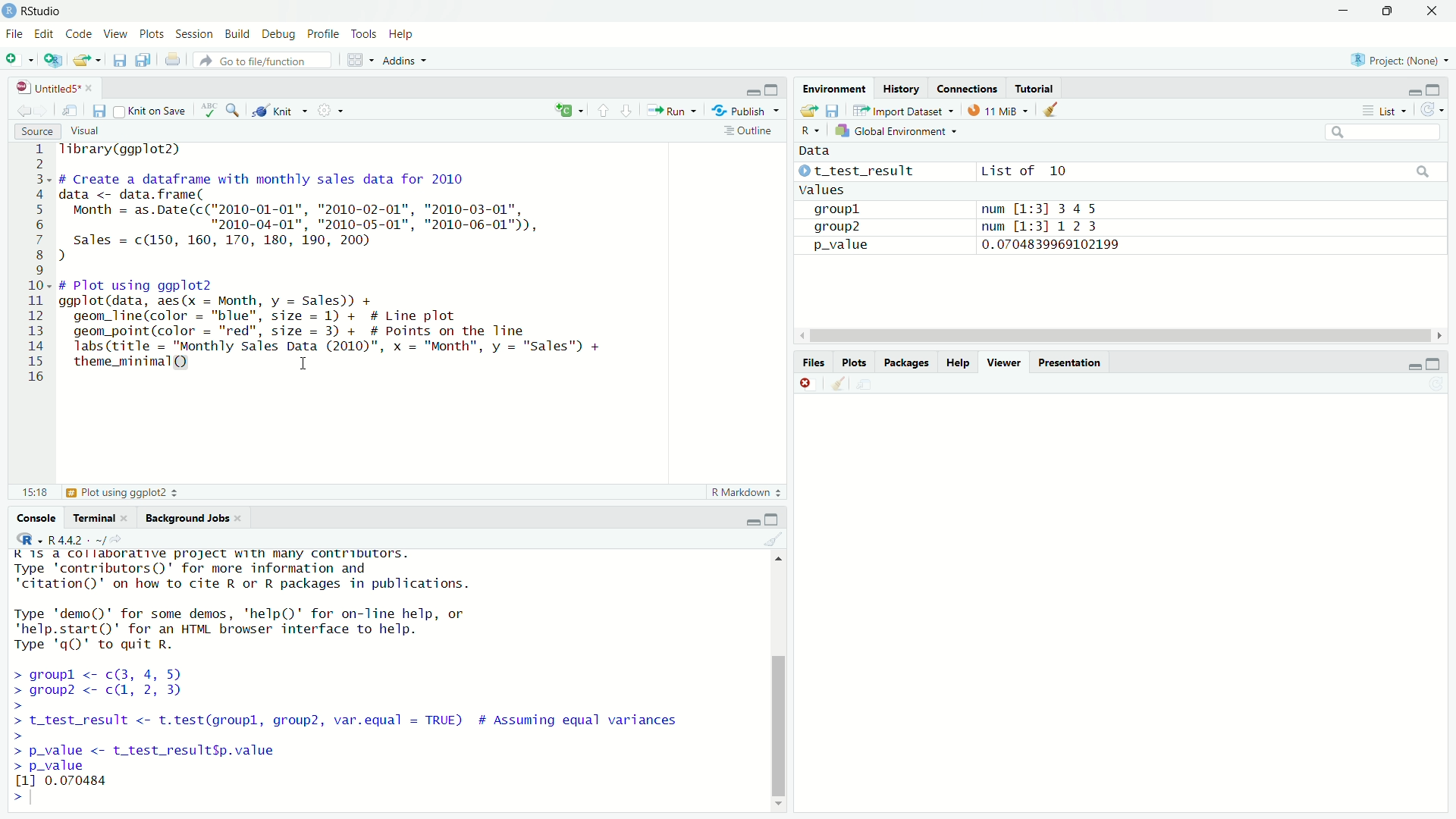  What do you see at coordinates (171, 59) in the screenshot?
I see `print current file` at bounding box center [171, 59].